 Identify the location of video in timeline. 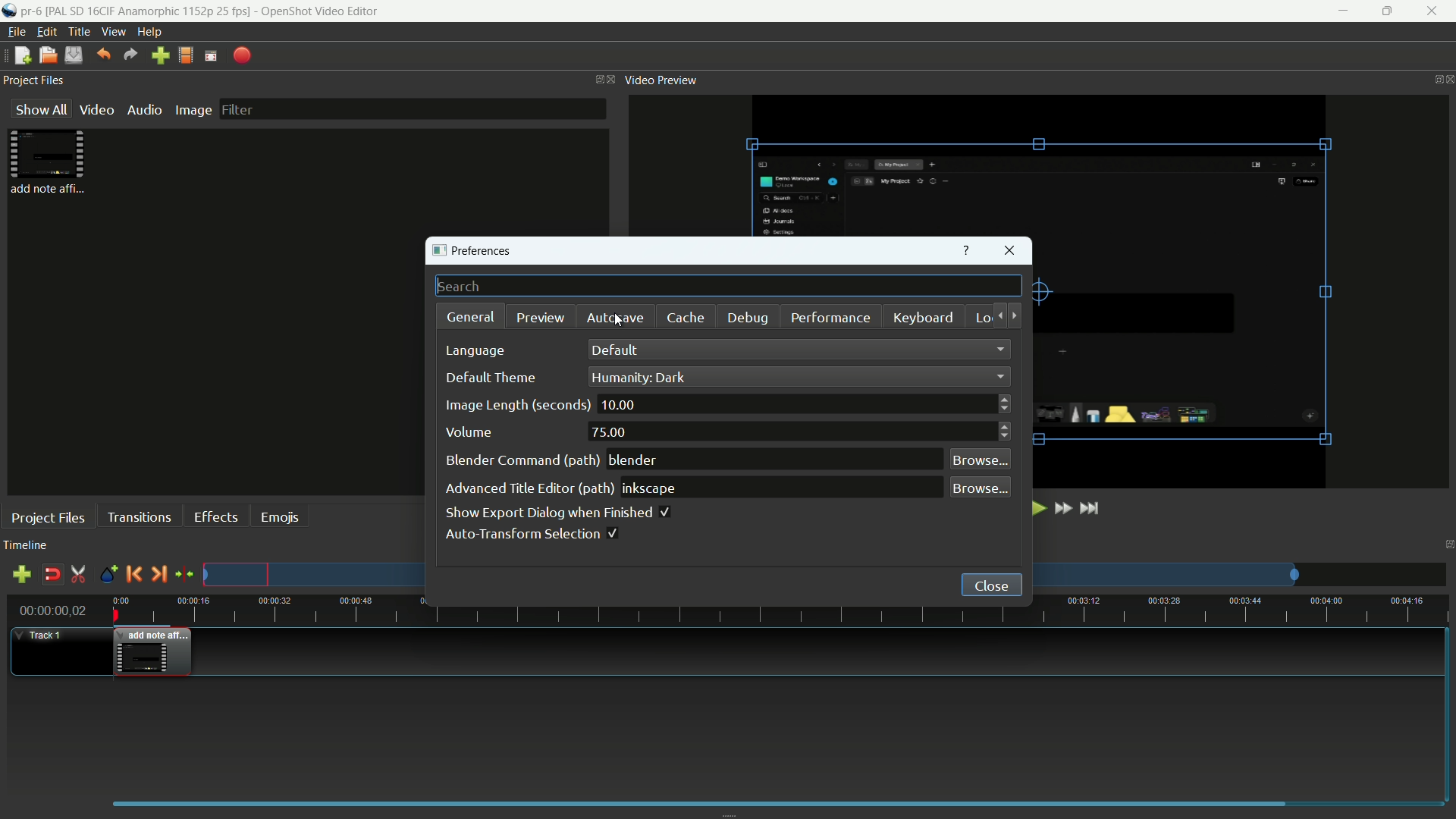
(152, 652).